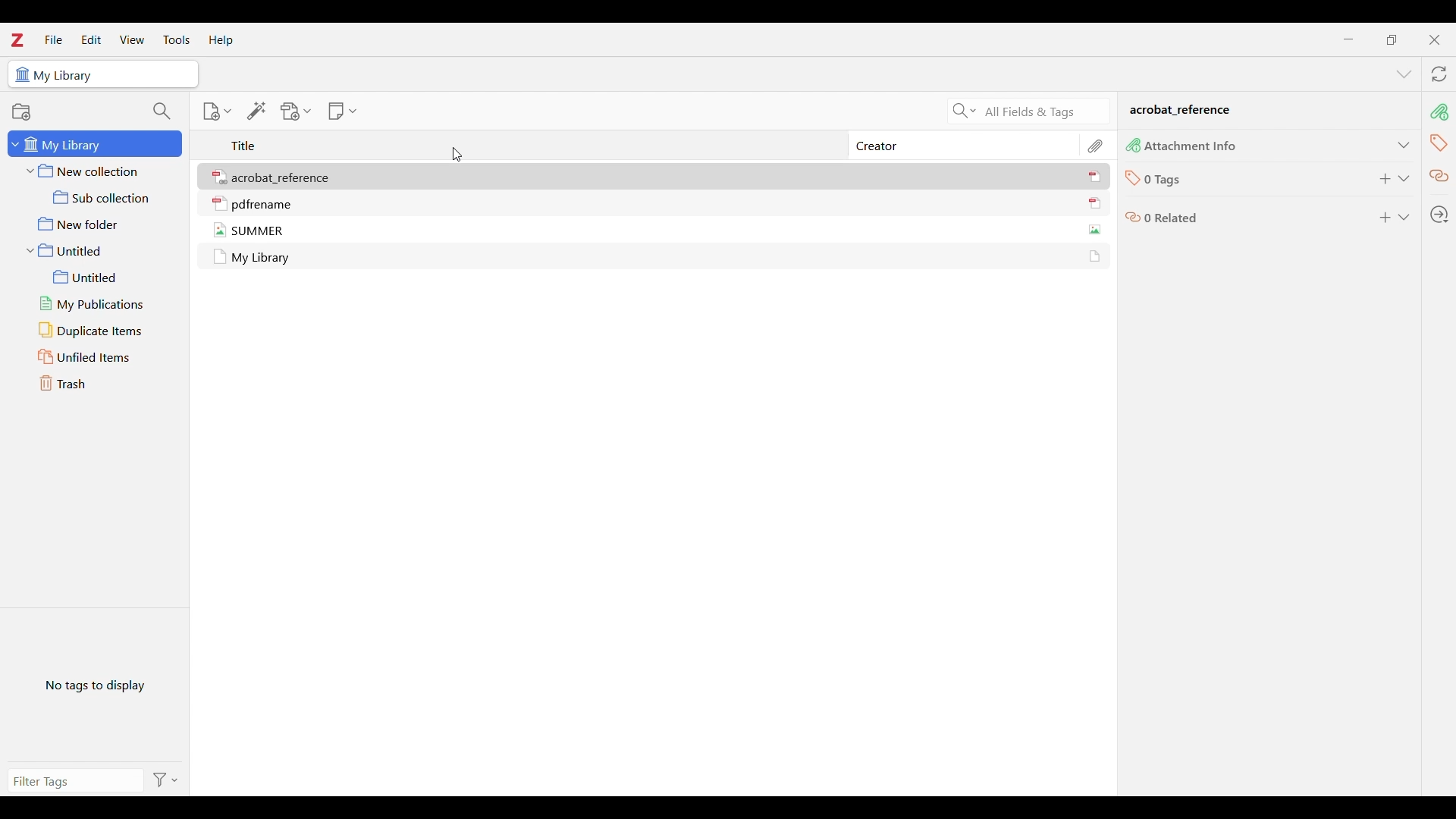  What do you see at coordinates (1434, 40) in the screenshot?
I see `Close interface` at bounding box center [1434, 40].